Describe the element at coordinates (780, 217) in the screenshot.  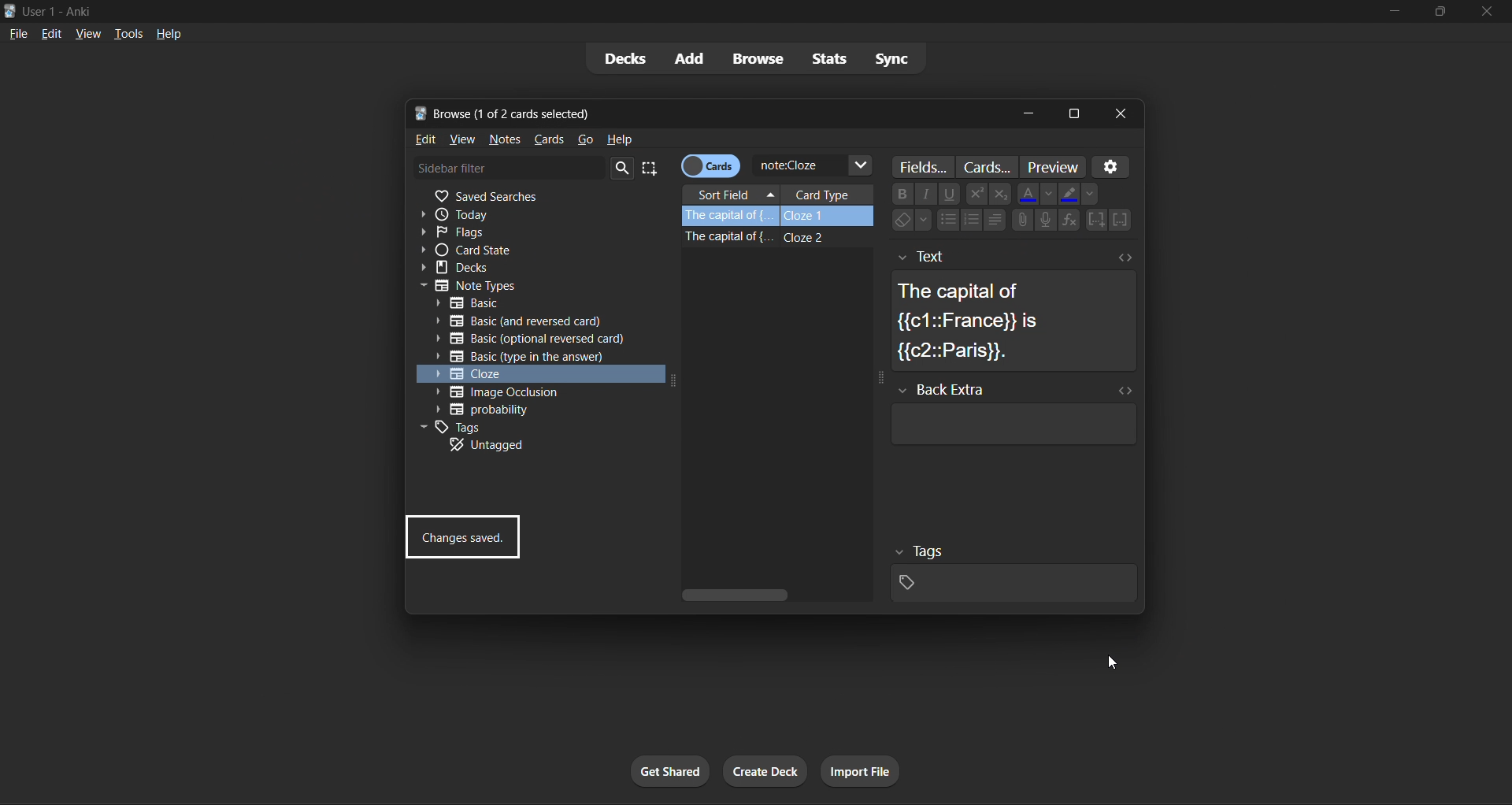
I see `selected cloze card` at that location.